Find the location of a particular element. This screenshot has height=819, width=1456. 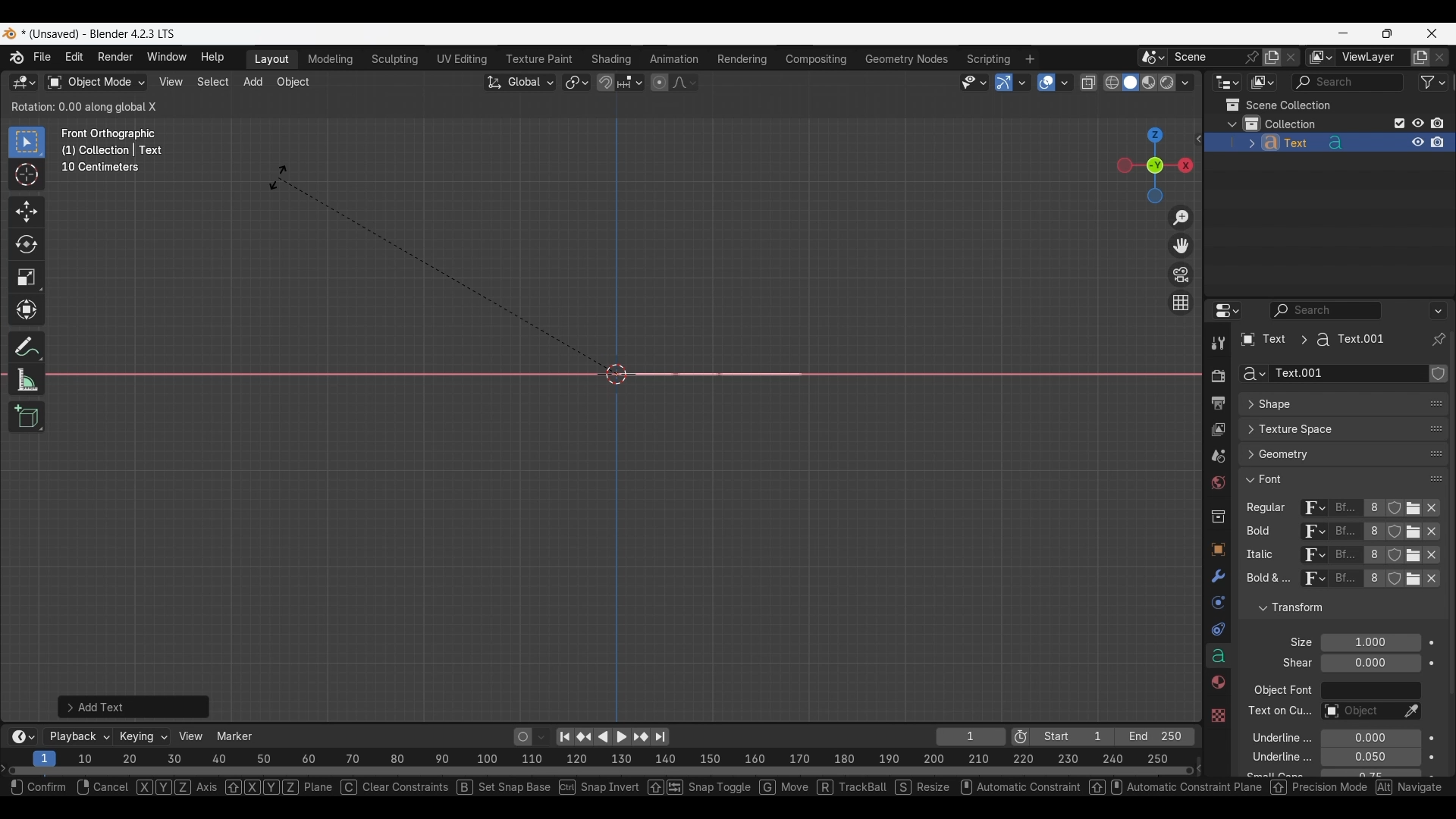

Jump to key frame is located at coordinates (641, 737).